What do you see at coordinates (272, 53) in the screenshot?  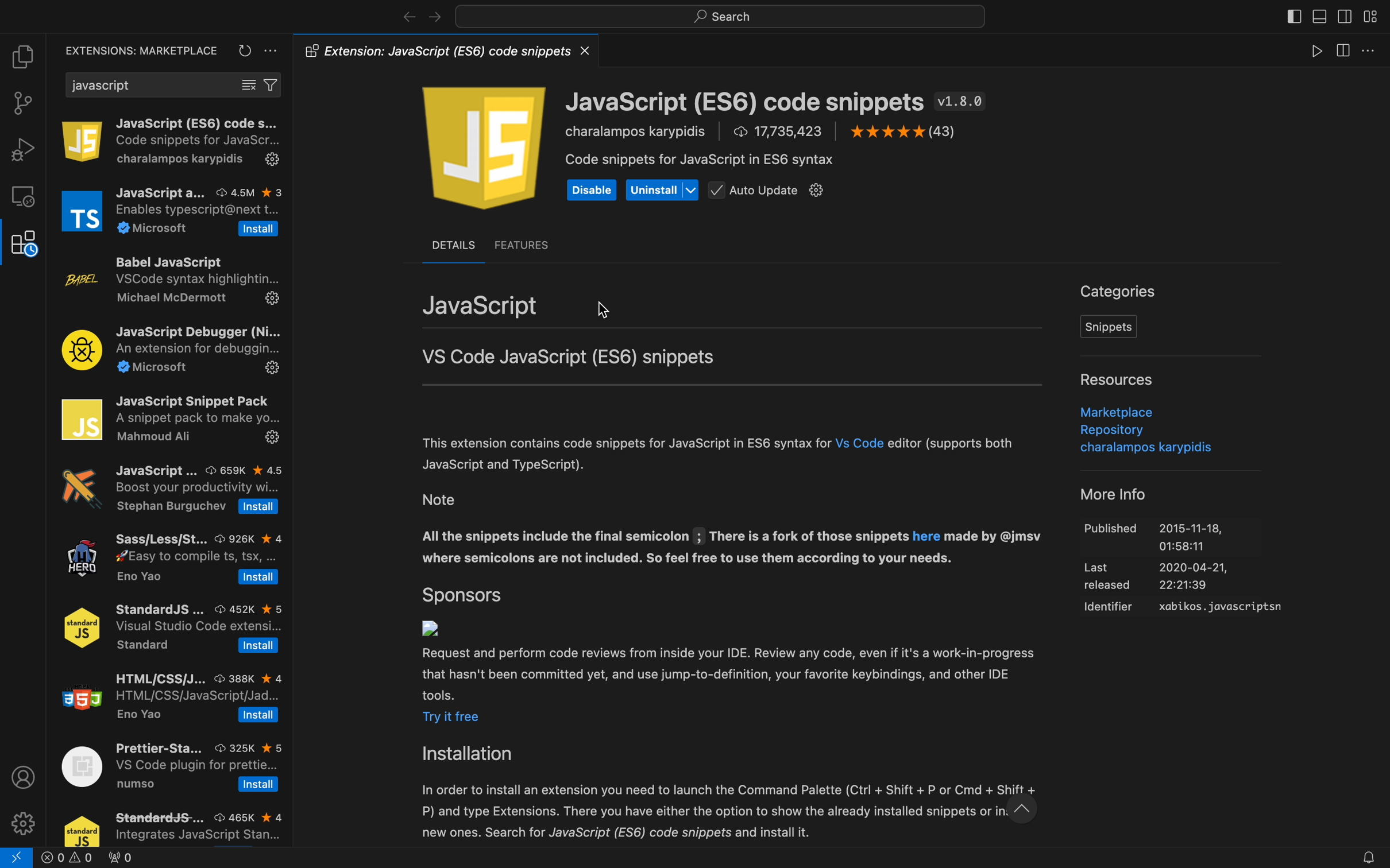 I see `settings` at bounding box center [272, 53].